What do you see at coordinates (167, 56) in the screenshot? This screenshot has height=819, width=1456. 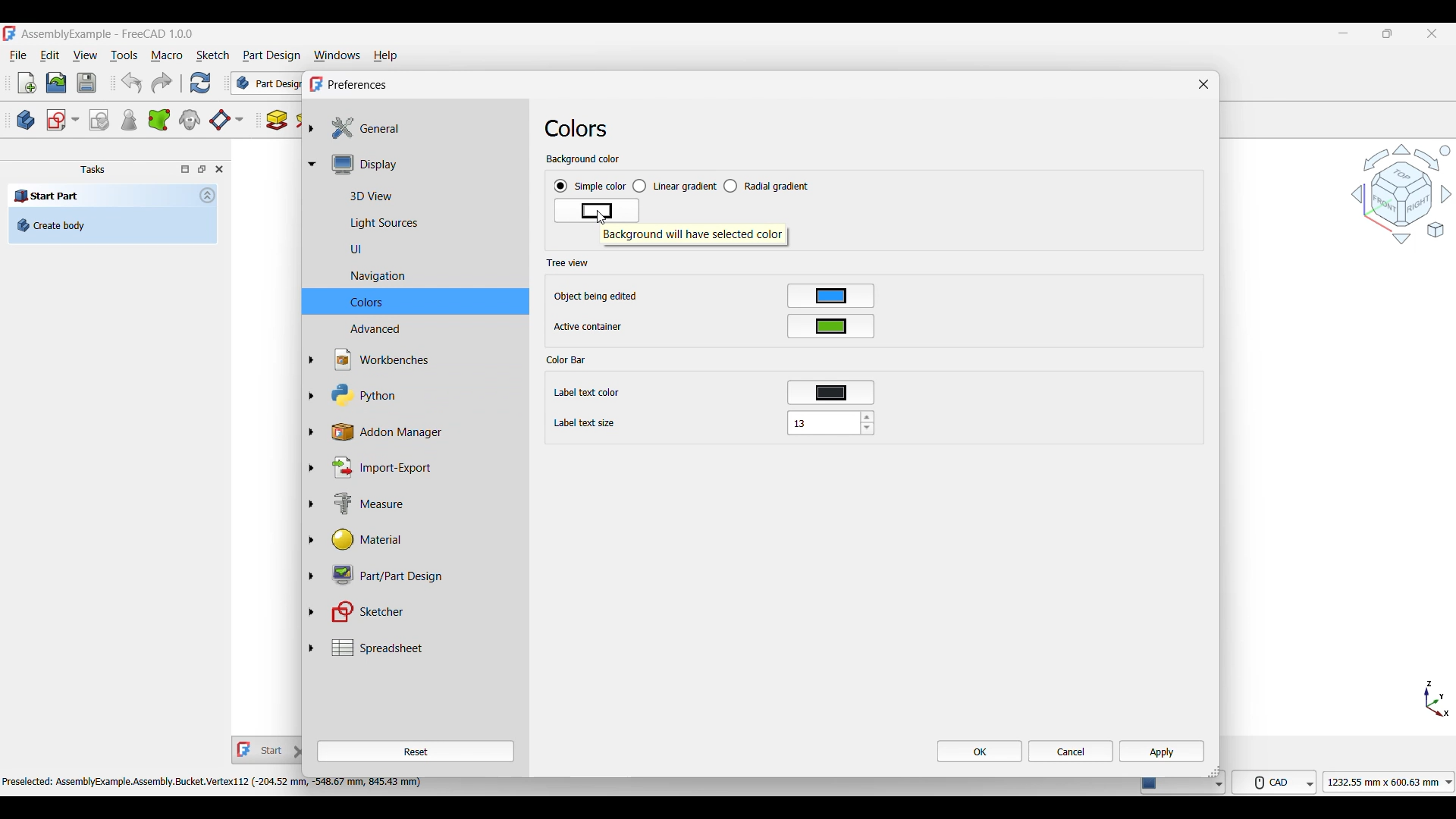 I see `Macro menu` at bounding box center [167, 56].